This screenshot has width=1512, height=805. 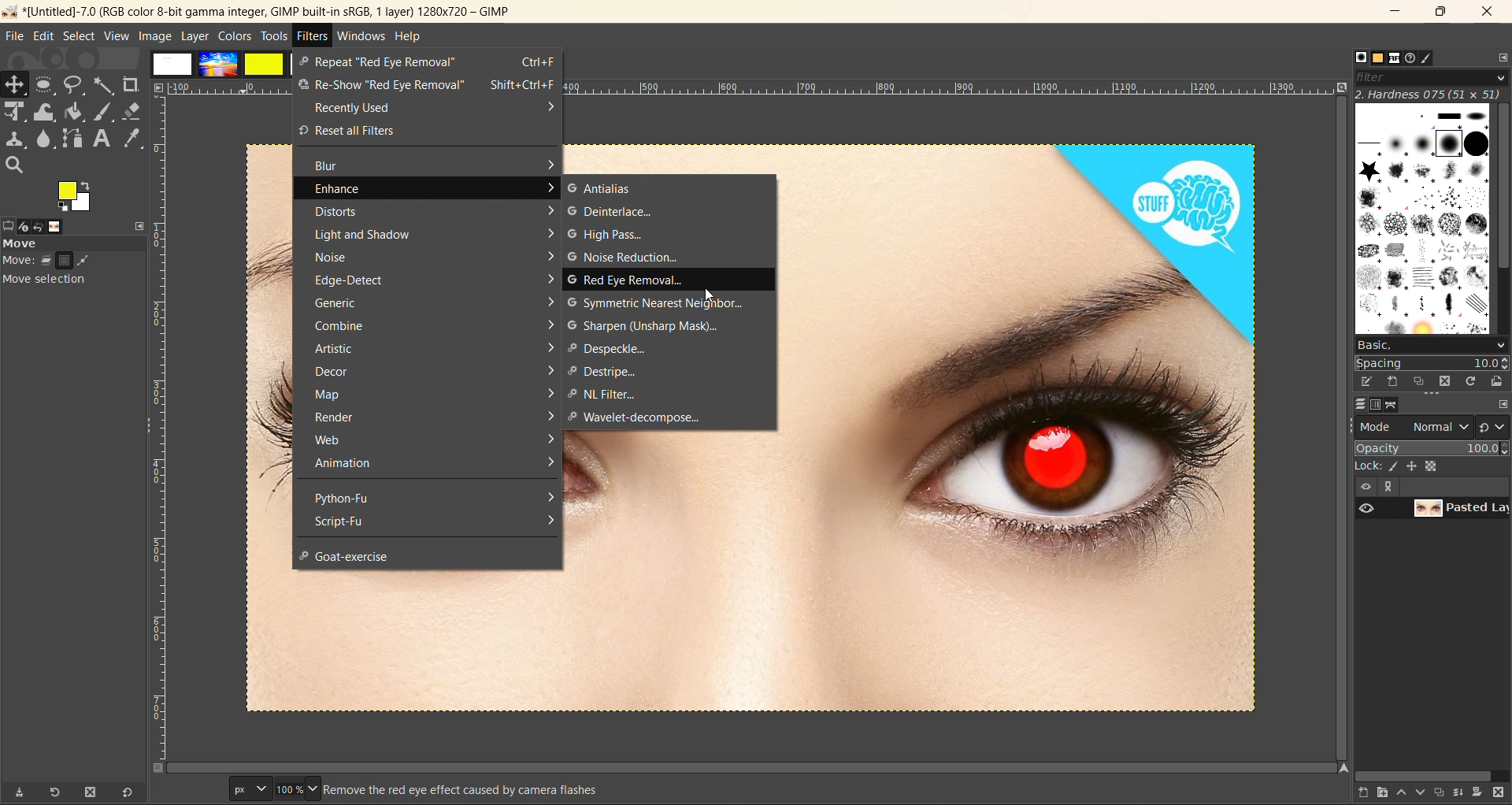 I want to click on noise reduction, so click(x=624, y=258).